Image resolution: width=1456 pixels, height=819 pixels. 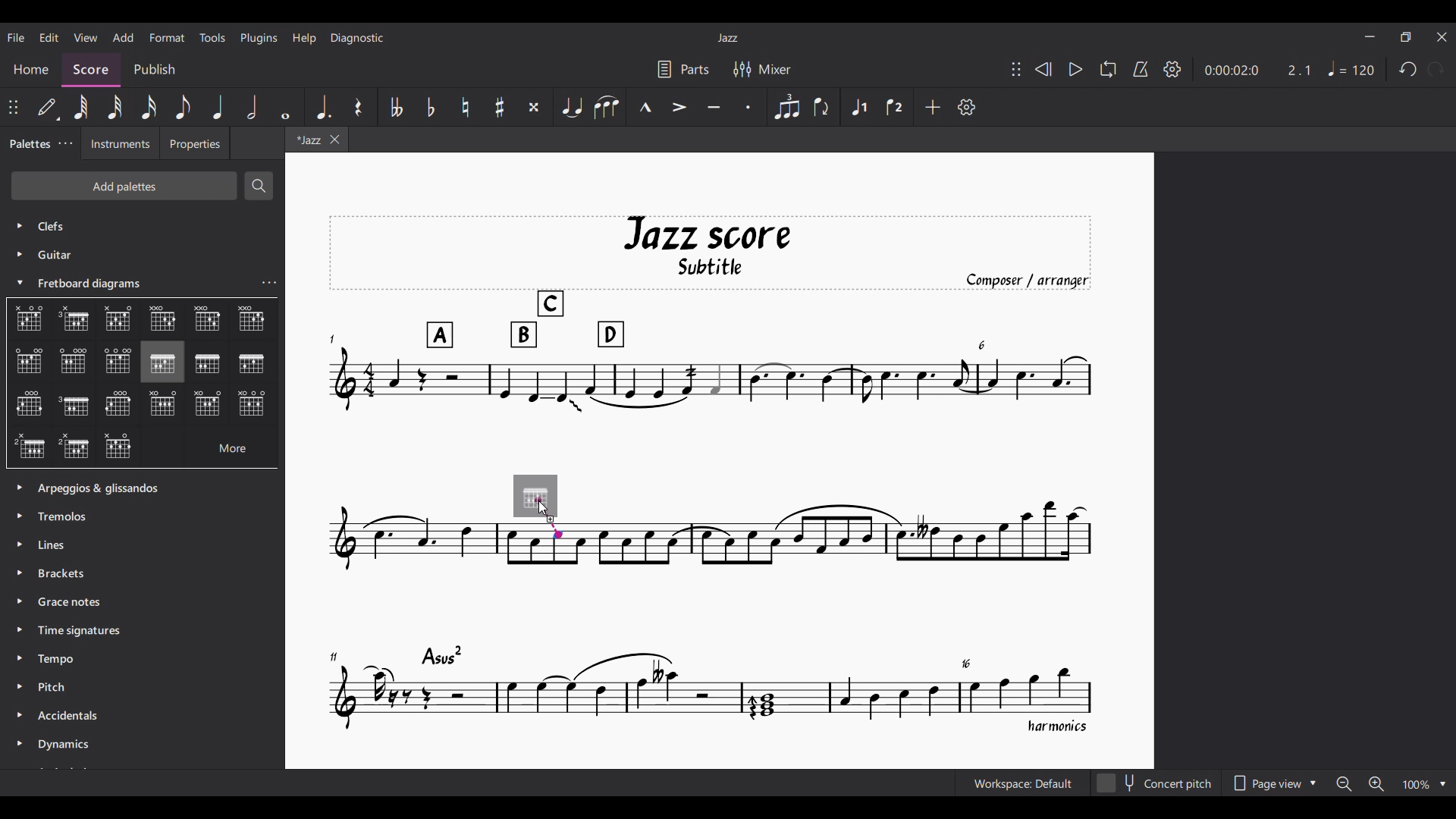 What do you see at coordinates (168, 406) in the screenshot?
I see `Chart 15` at bounding box center [168, 406].